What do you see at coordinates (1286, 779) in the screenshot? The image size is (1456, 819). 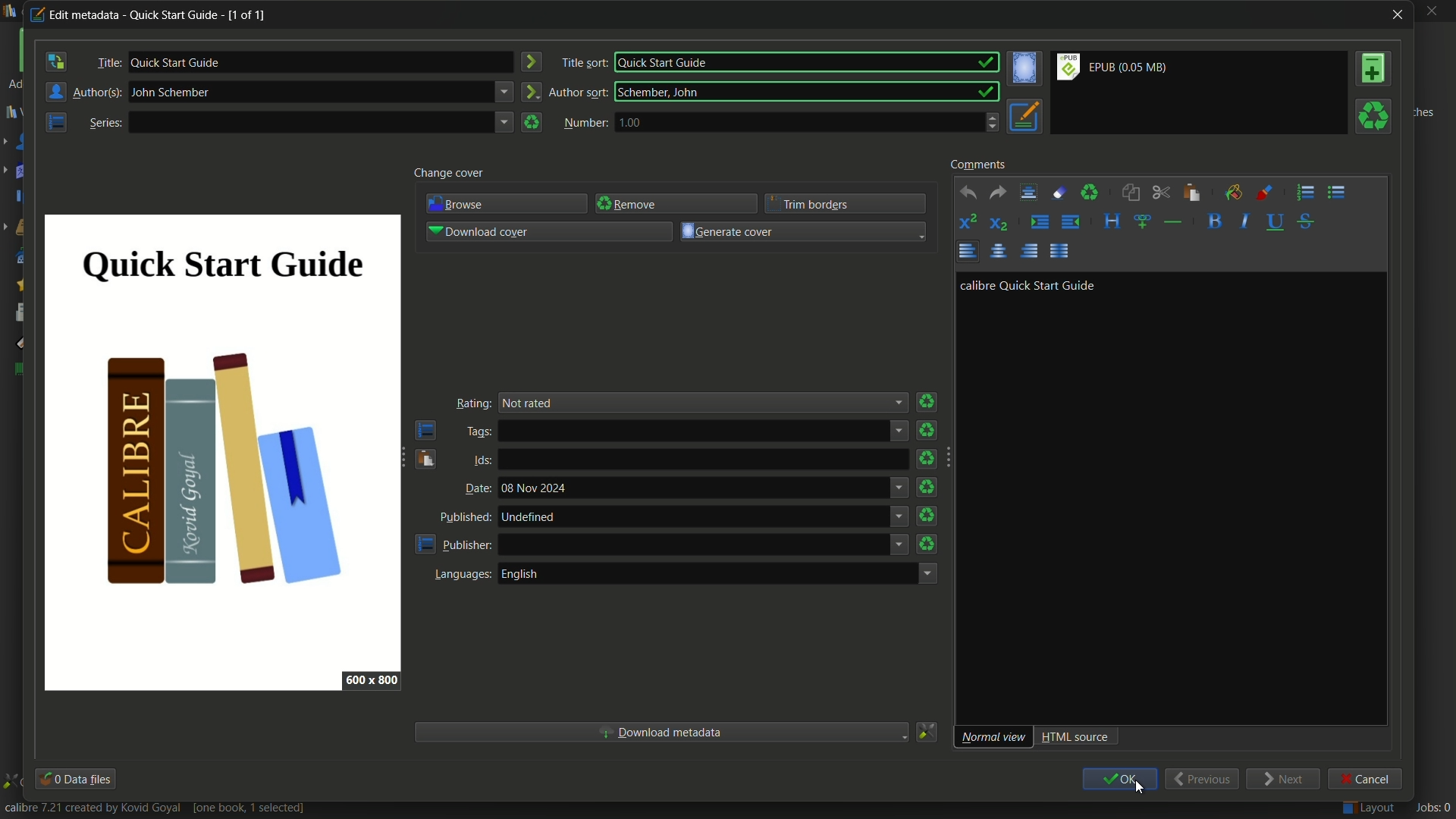 I see `next` at bounding box center [1286, 779].